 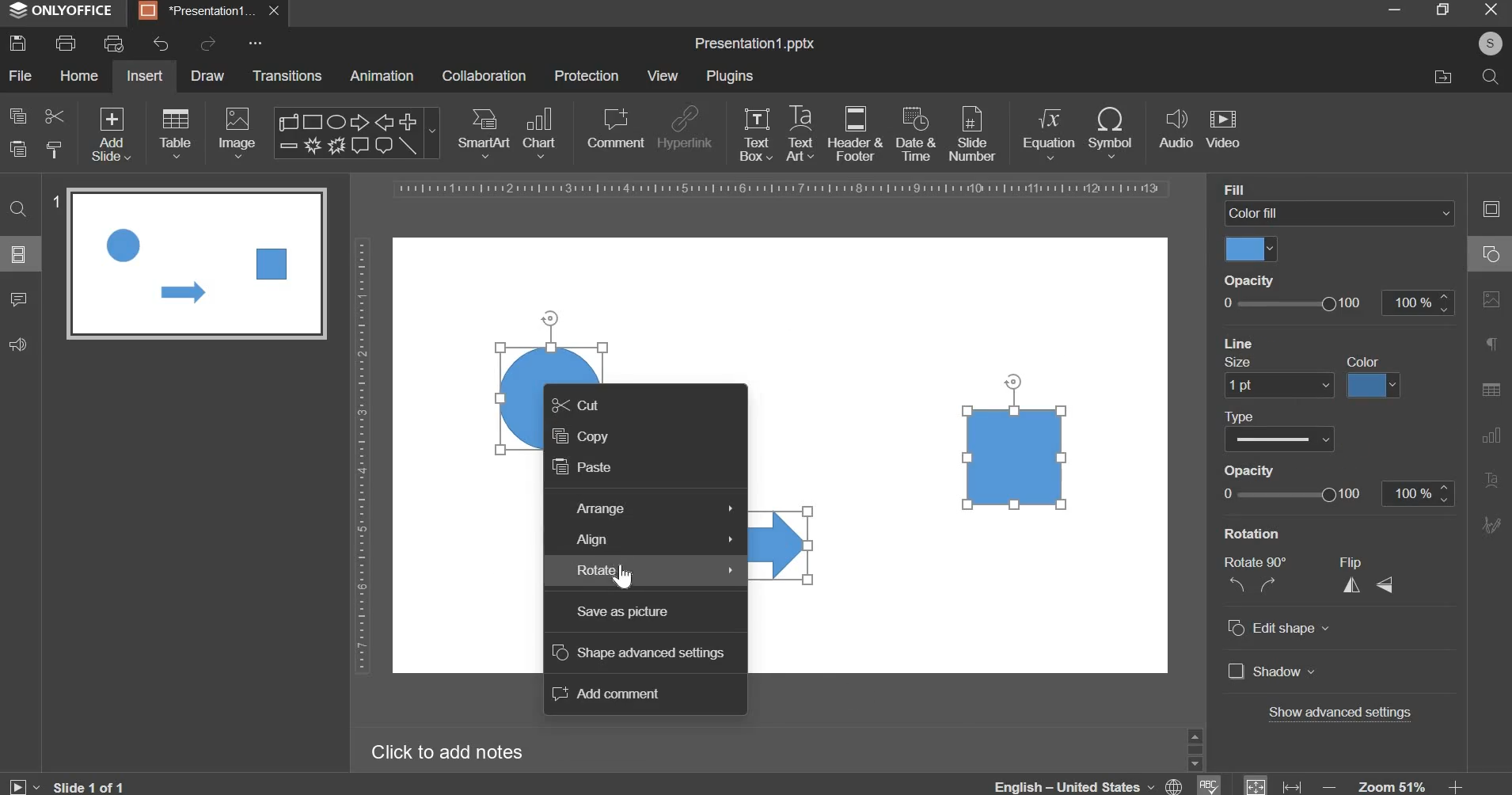 What do you see at coordinates (1234, 587) in the screenshot?
I see `rotate left 90` at bounding box center [1234, 587].